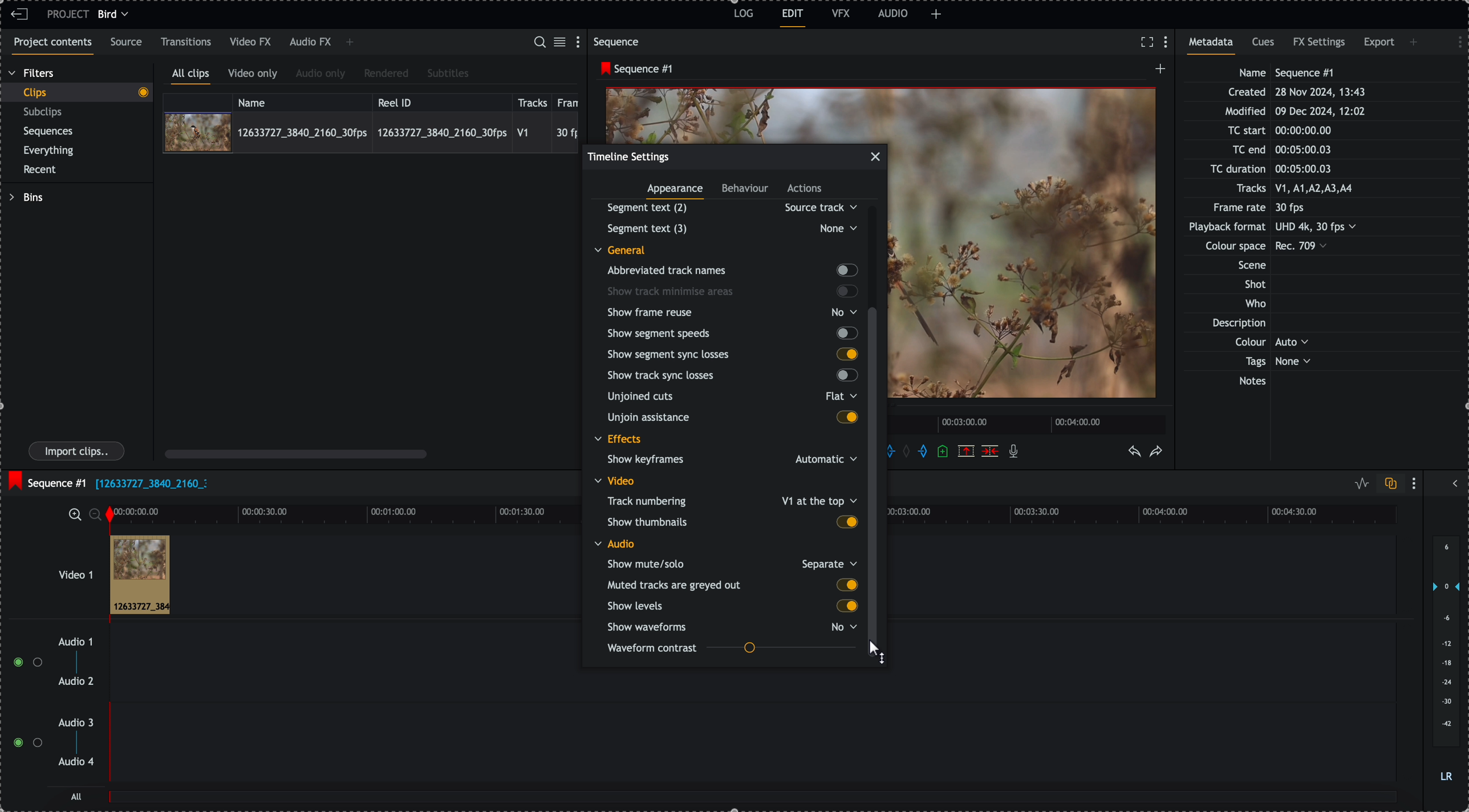  I want to click on undo, so click(1135, 452).